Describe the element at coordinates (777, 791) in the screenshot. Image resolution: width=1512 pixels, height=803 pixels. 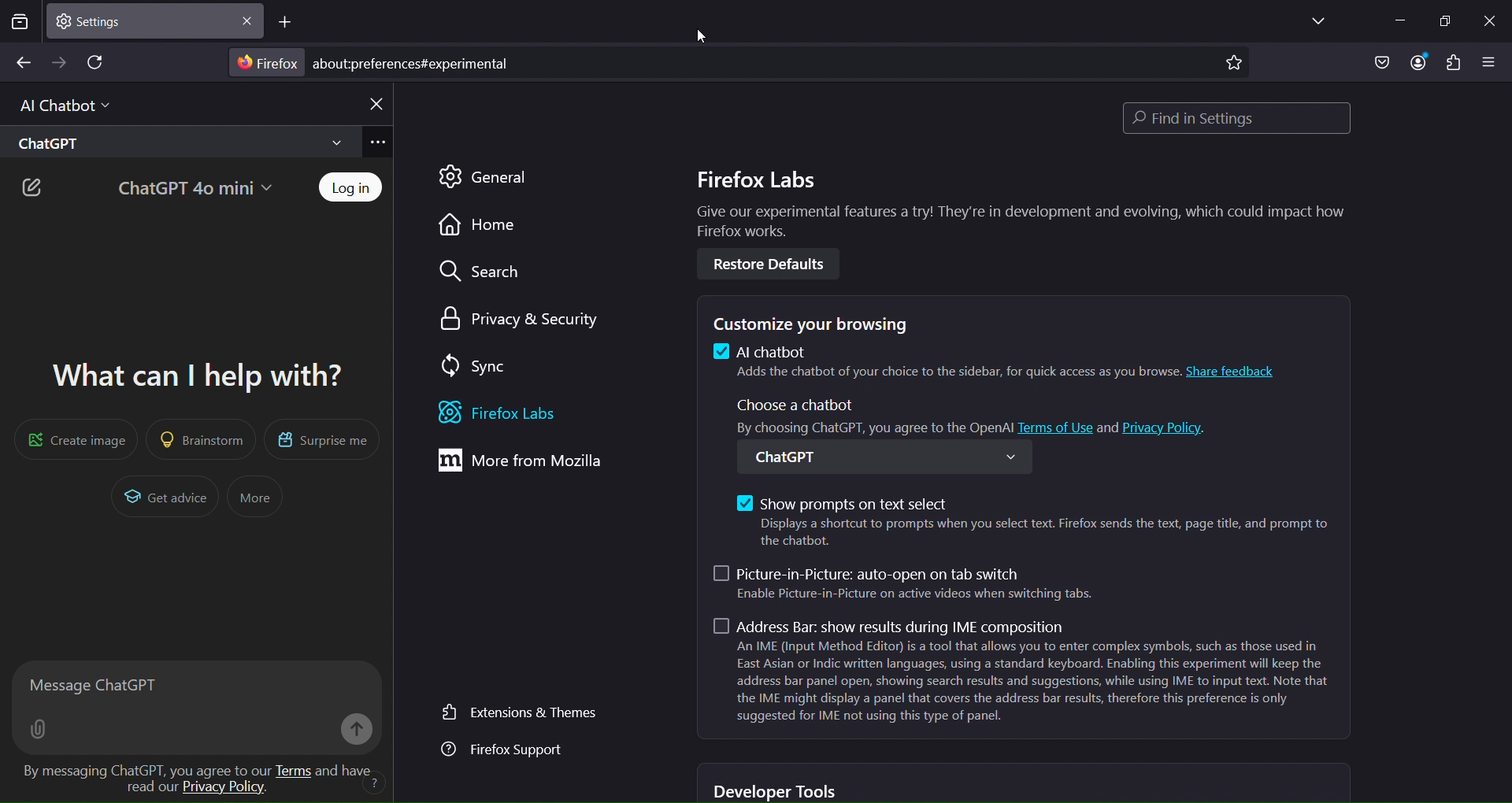
I see `developer tools` at that location.